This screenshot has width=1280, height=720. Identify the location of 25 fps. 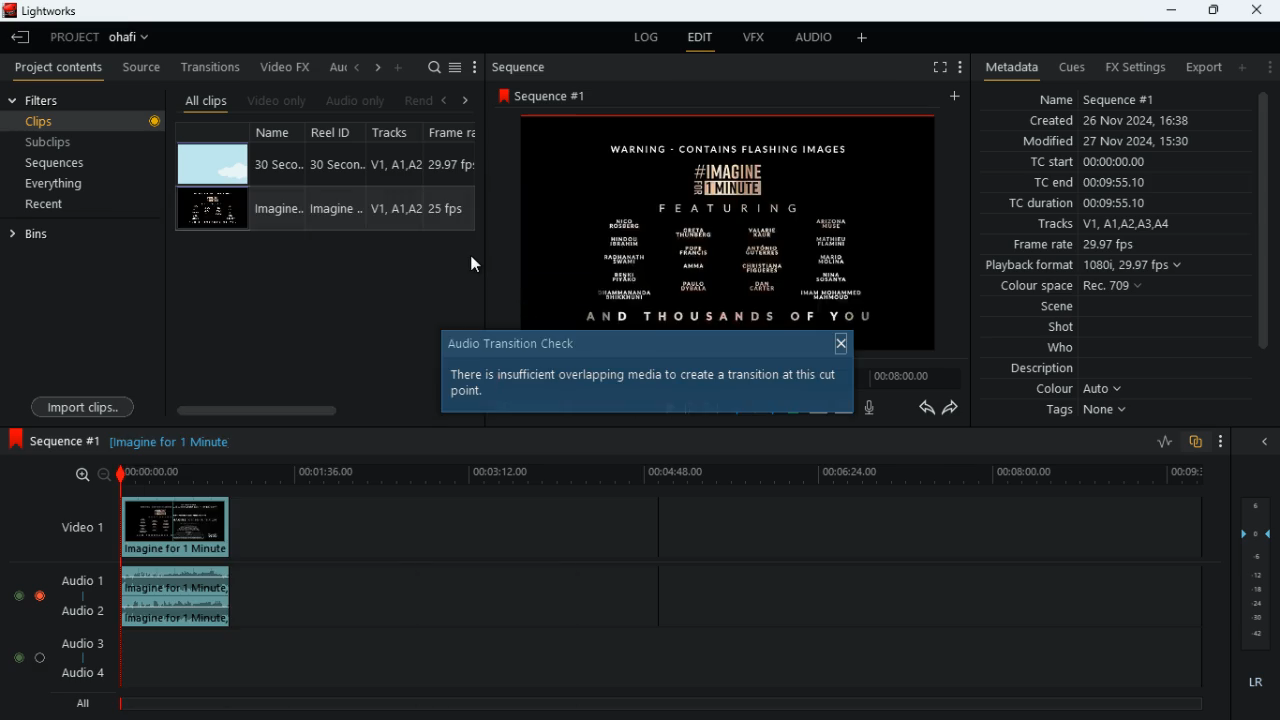
(450, 210).